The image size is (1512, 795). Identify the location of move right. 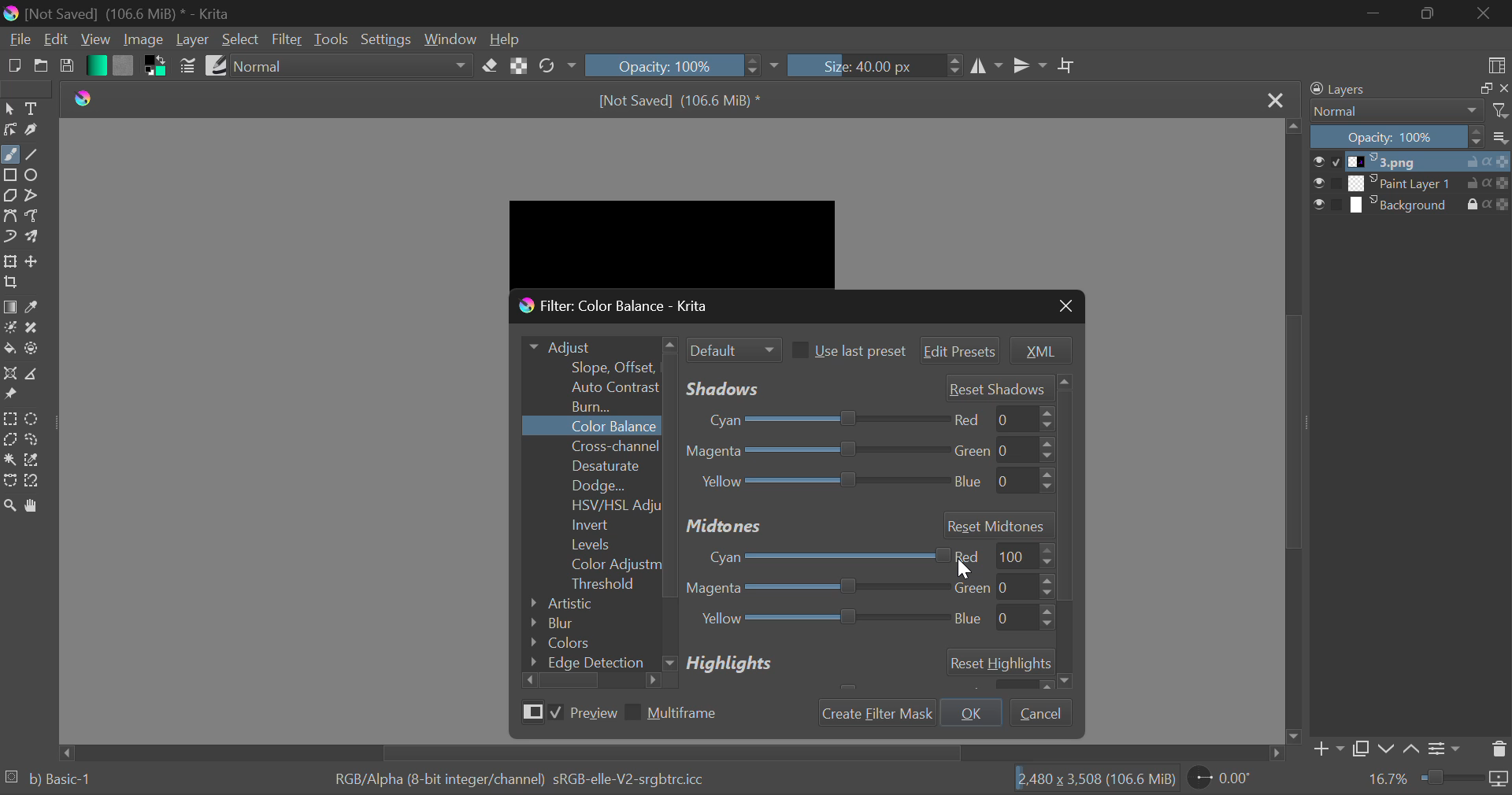
(1274, 753).